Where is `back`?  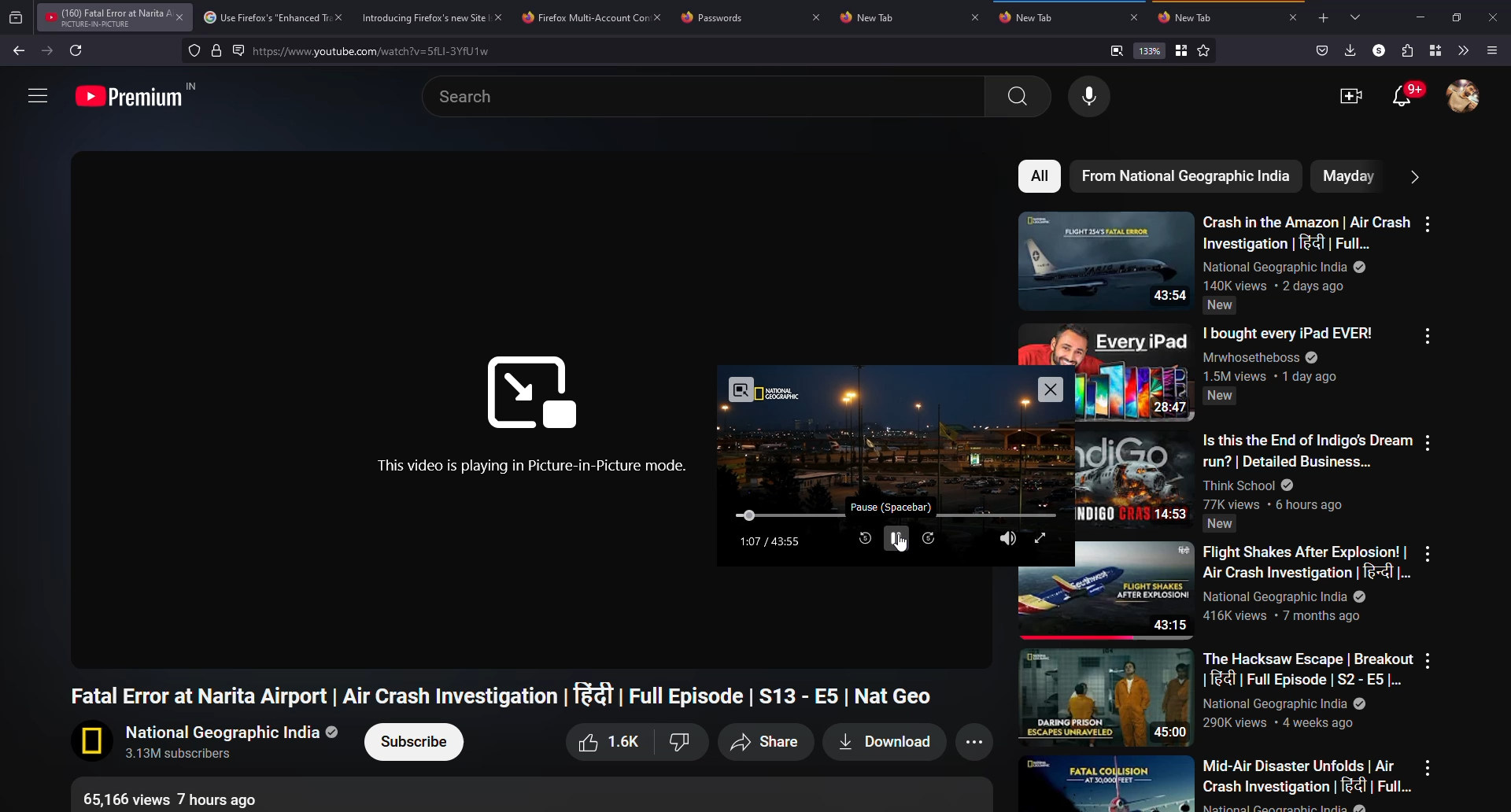
back is located at coordinates (19, 52).